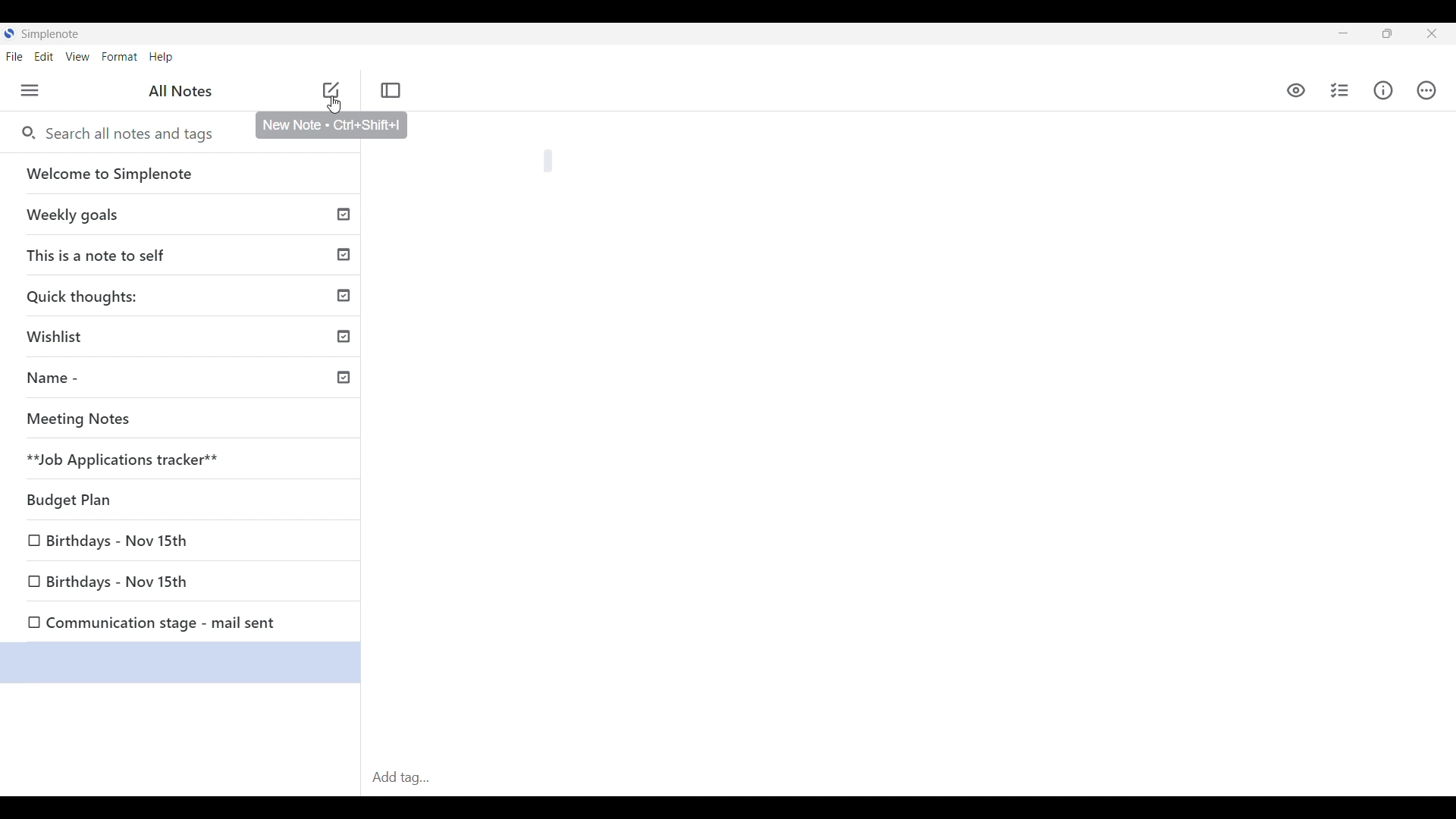 The width and height of the screenshot is (1456, 819). Describe the element at coordinates (180, 664) in the screenshot. I see `Current note` at that location.